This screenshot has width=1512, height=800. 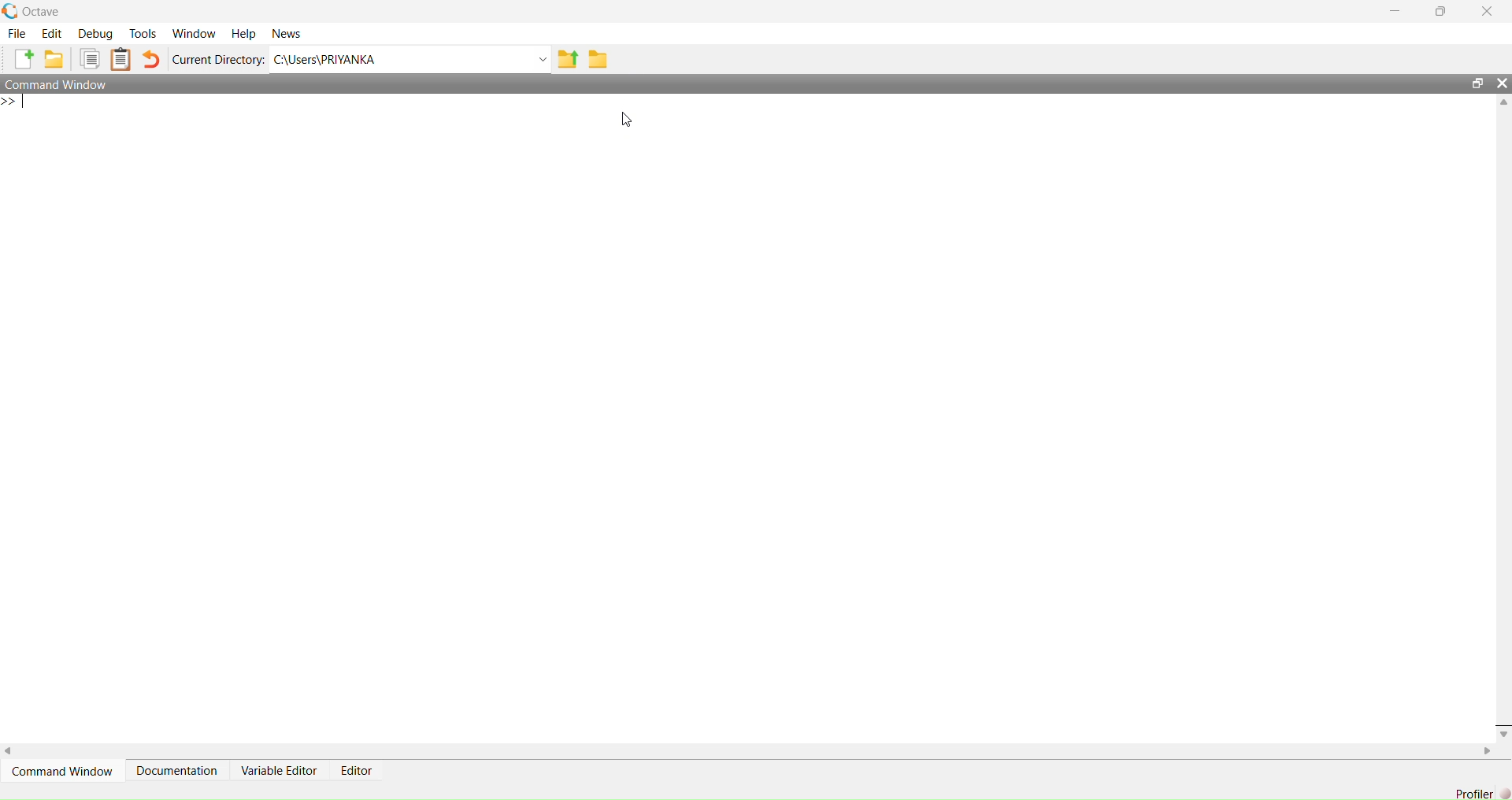 What do you see at coordinates (1476, 83) in the screenshot?
I see `Maximize` at bounding box center [1476, 83].